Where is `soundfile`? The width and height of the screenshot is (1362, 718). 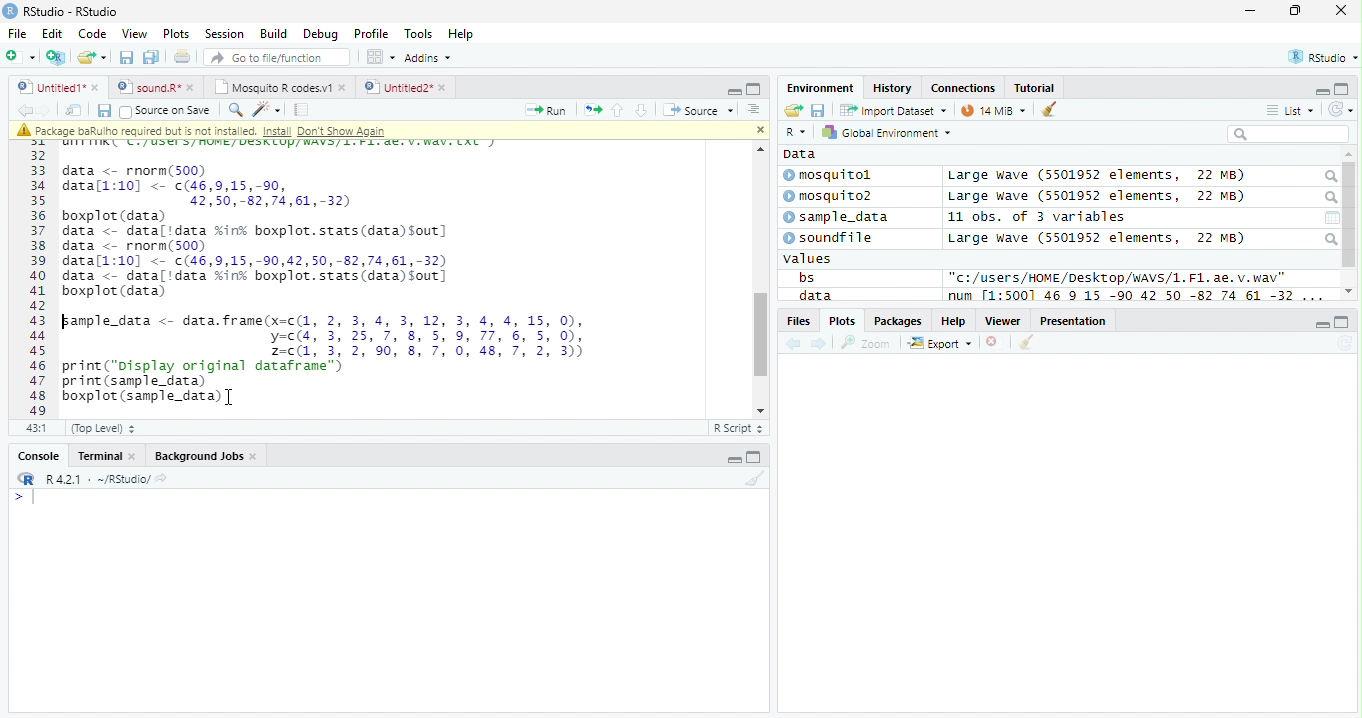 soundfile is located at coordinates (829, 238).